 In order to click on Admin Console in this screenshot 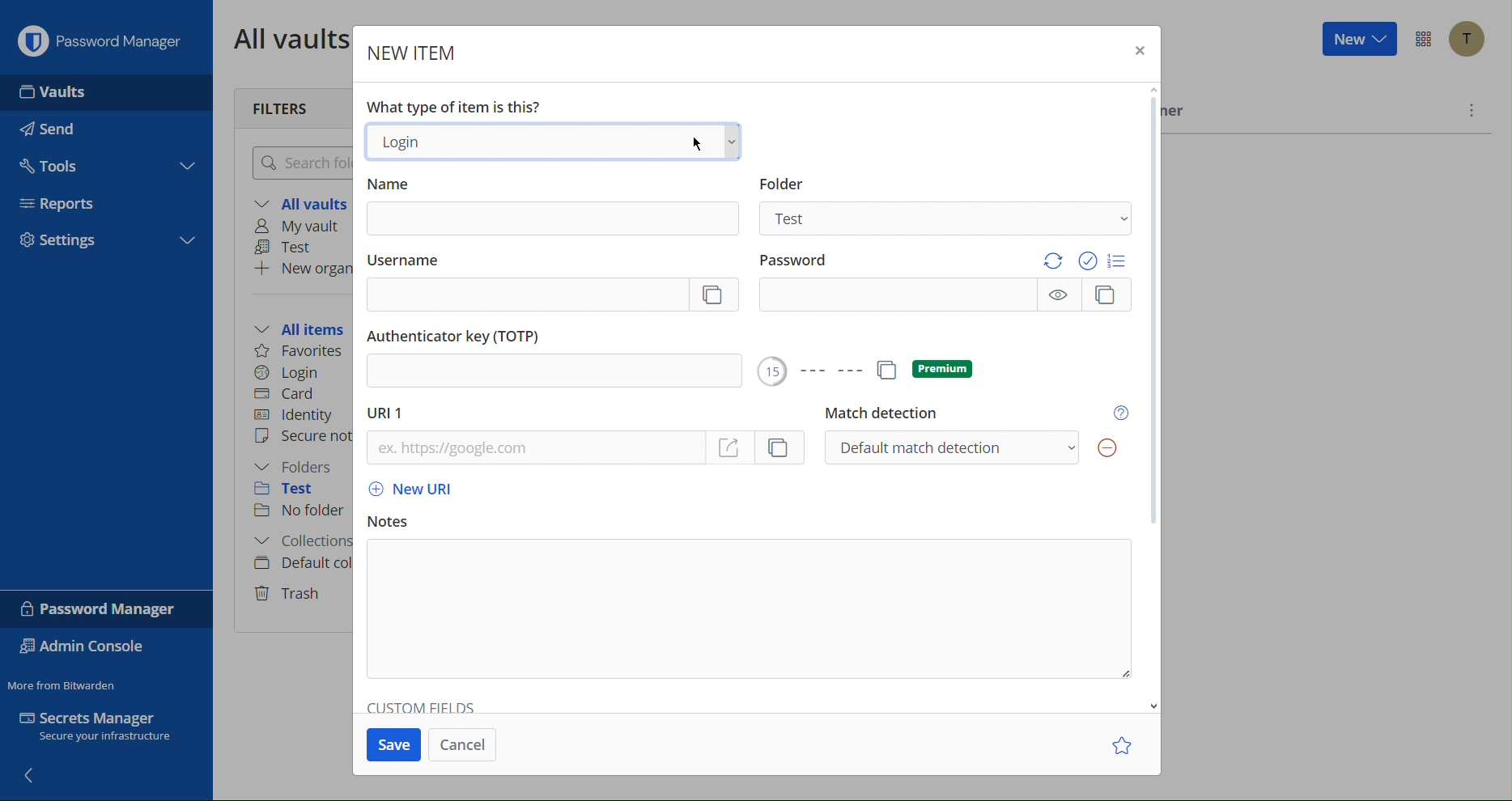, I will do `click(82, 648)`.